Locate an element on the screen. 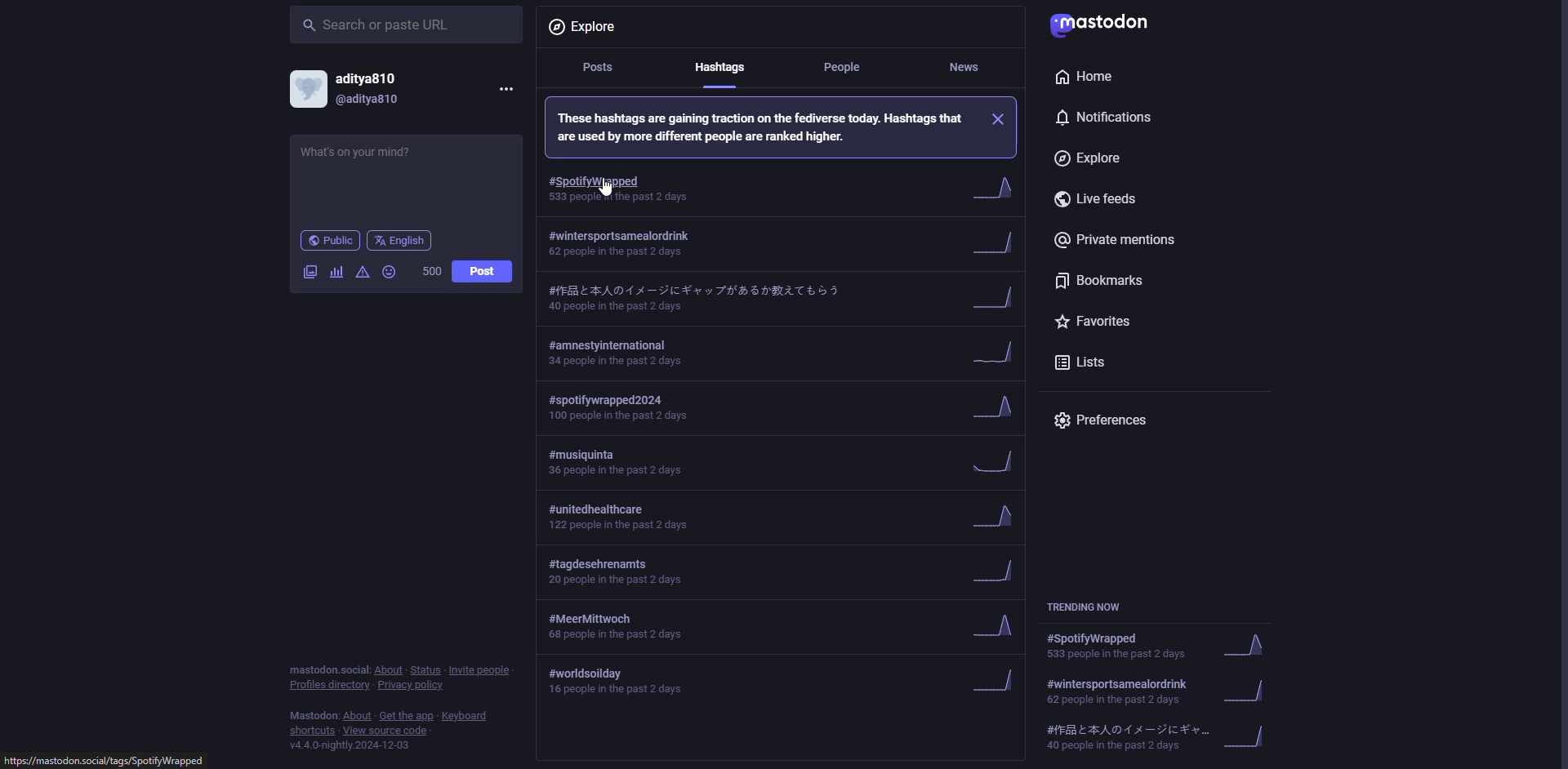 The width and height of the screenshot is (1568, 769). trend is located at coordinates (996, 298).